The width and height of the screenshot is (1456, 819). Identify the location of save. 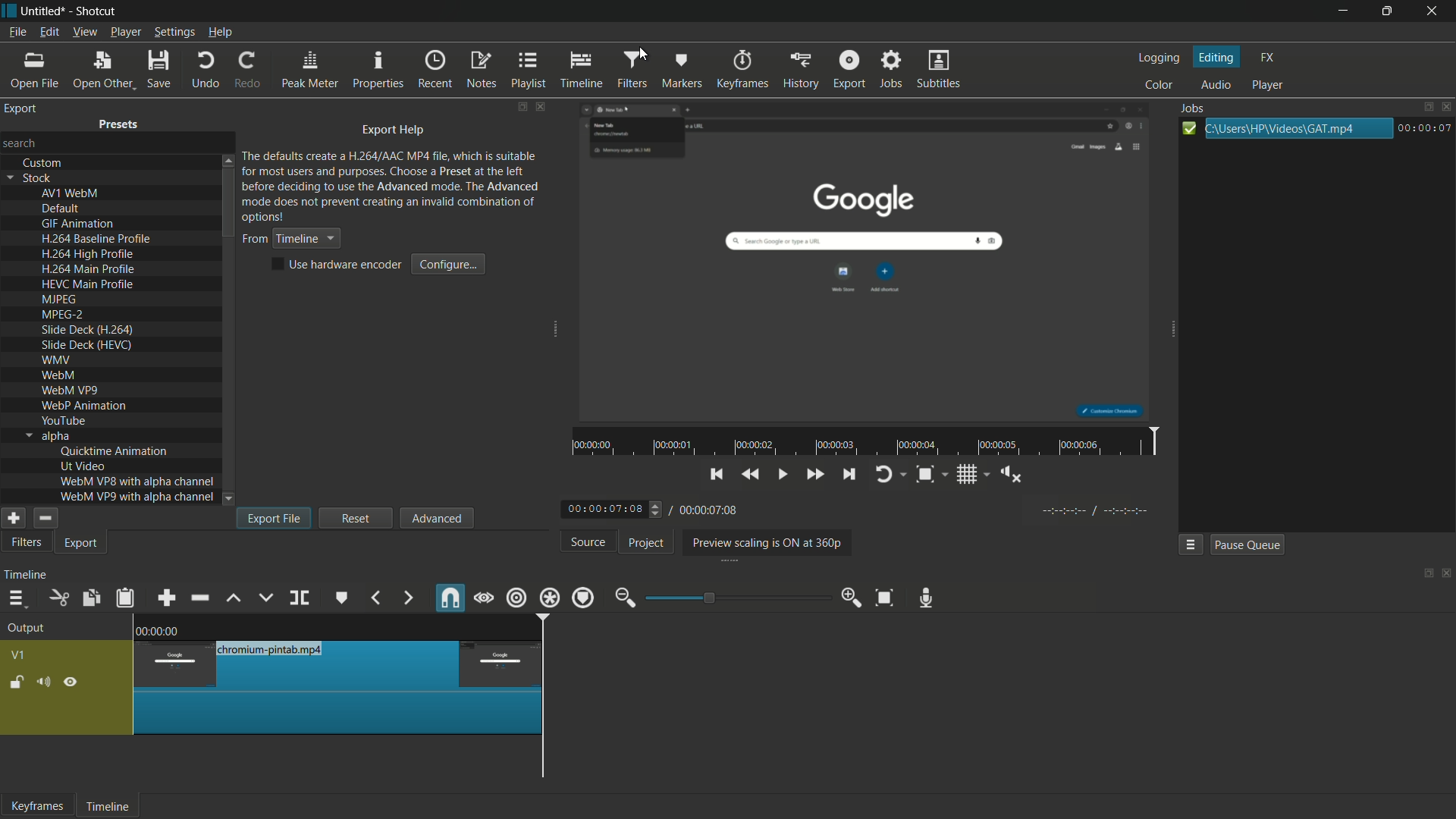
(160, 69).